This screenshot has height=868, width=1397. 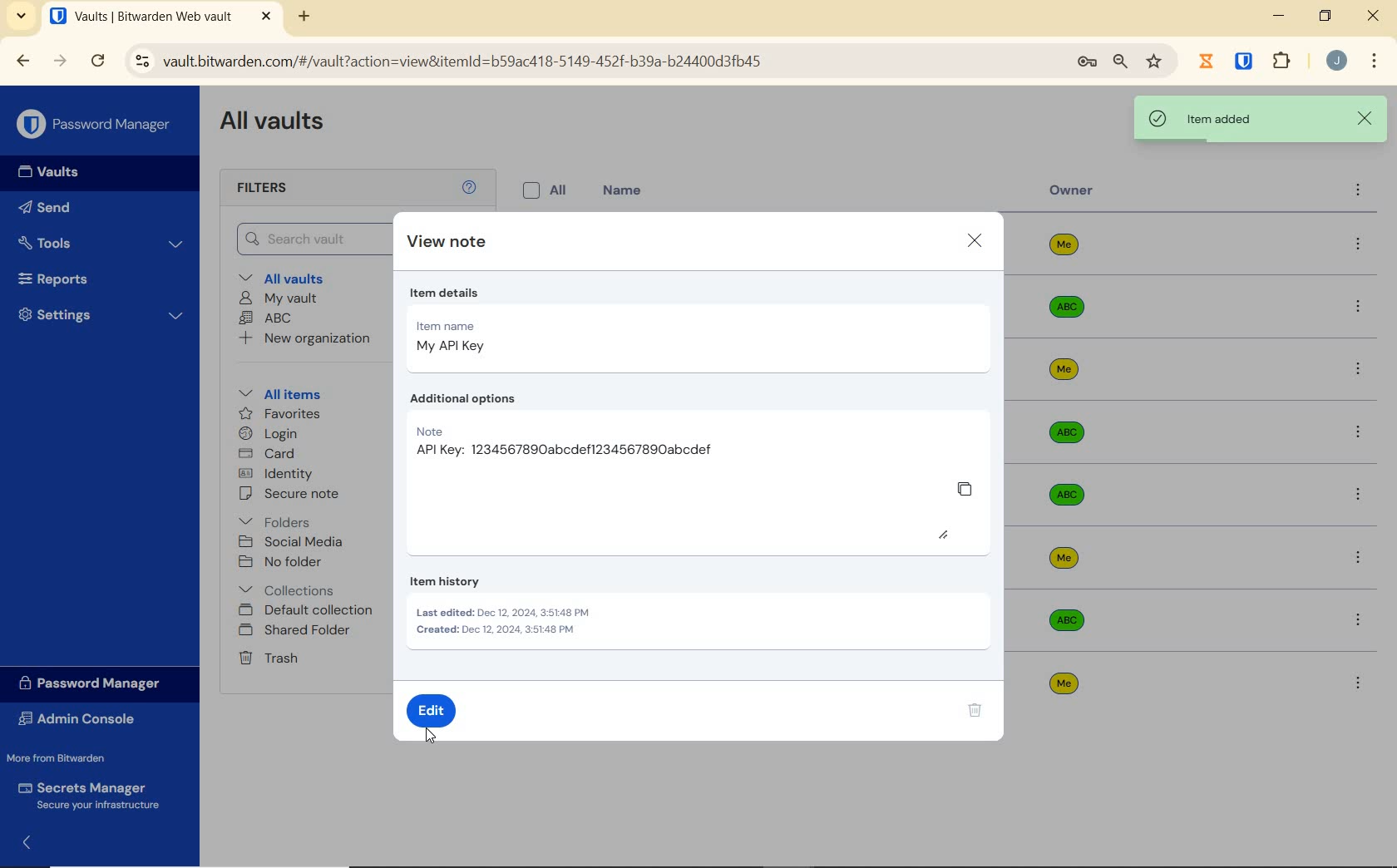 What do you see at coordinates (102, 318) in the screenshot?
I see `Settings` at bounding box center [102, 318].